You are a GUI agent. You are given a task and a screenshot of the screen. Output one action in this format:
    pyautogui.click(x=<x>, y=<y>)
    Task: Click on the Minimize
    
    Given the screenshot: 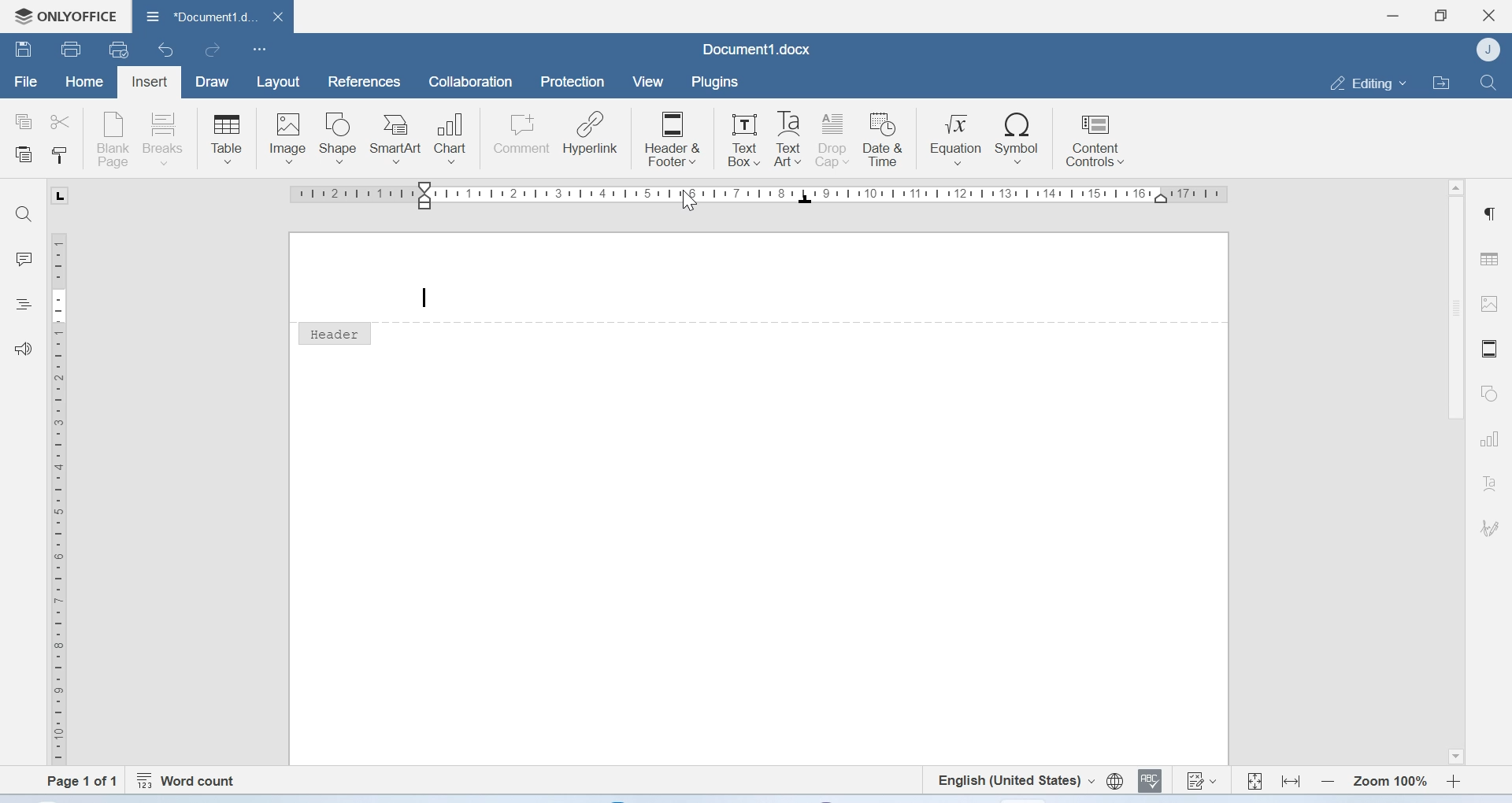 What is the action you would take?
    pyautogui.click(x=1393, y=16)
    